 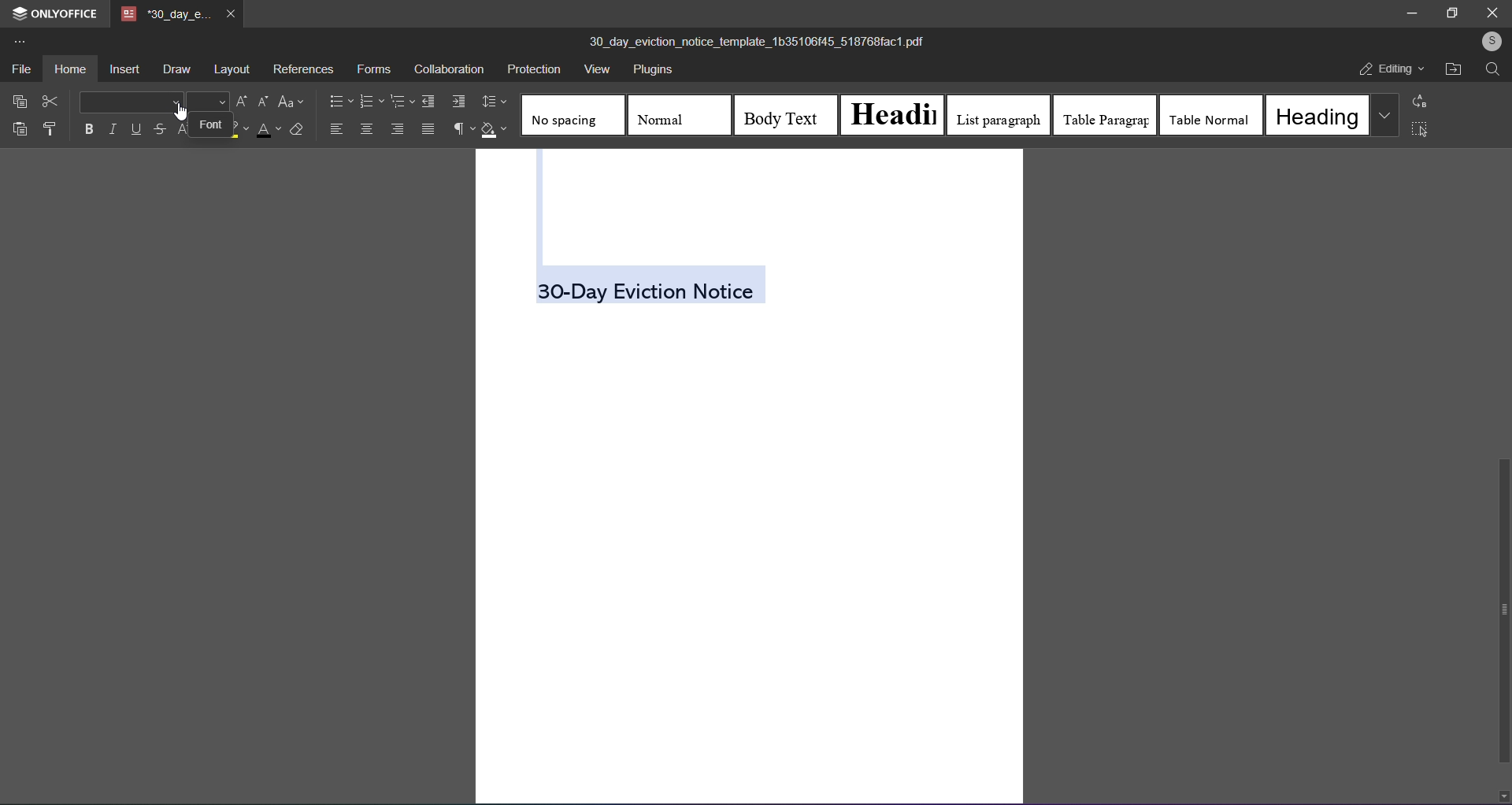 I want to click on normal, so click(x=671, y=114).